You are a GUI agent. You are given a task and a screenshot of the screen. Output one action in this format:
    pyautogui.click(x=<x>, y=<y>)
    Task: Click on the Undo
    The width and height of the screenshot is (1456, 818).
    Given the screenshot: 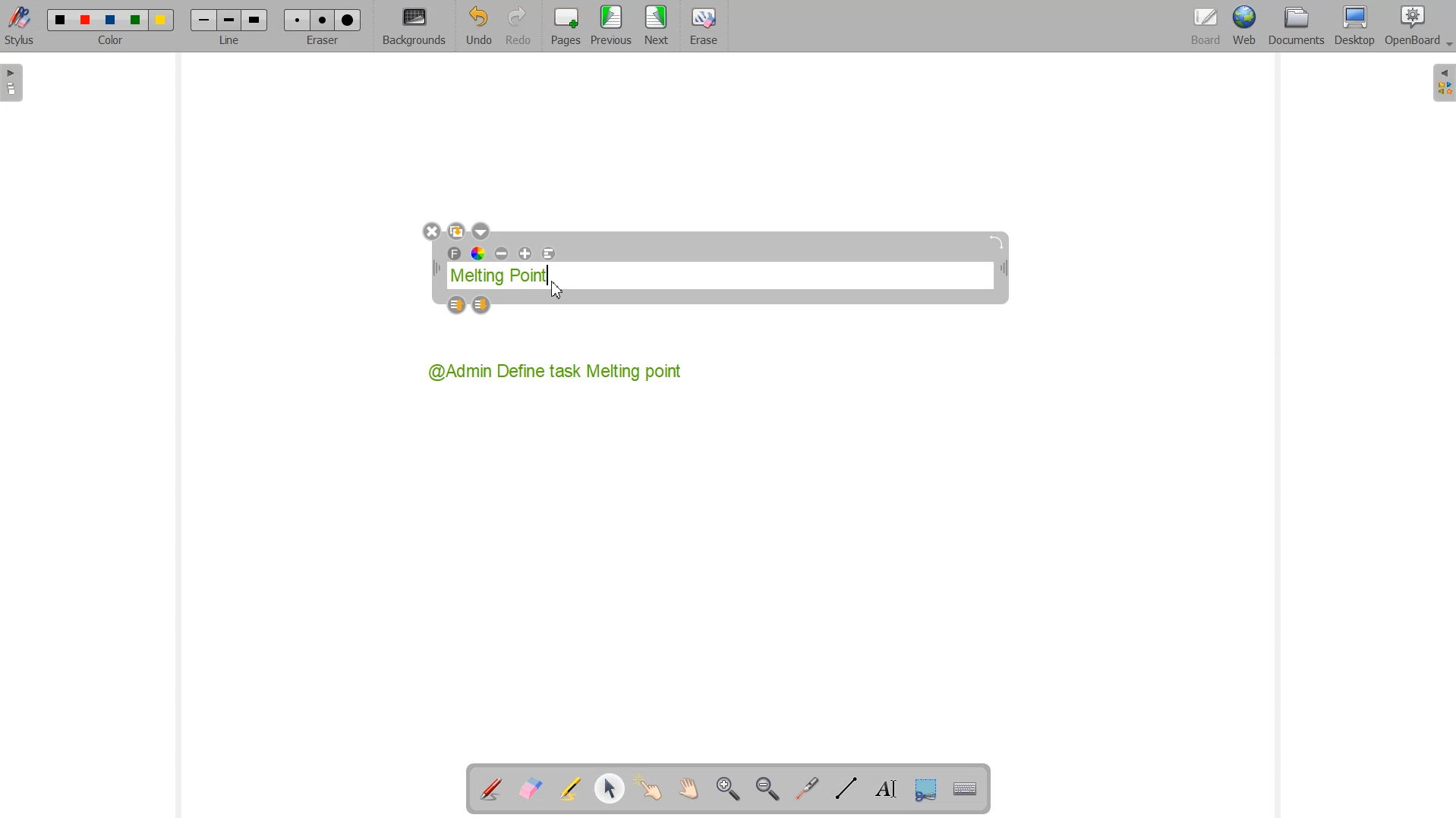 What is the action you would take?
    pyautogui.click(x=478, y=26)
    